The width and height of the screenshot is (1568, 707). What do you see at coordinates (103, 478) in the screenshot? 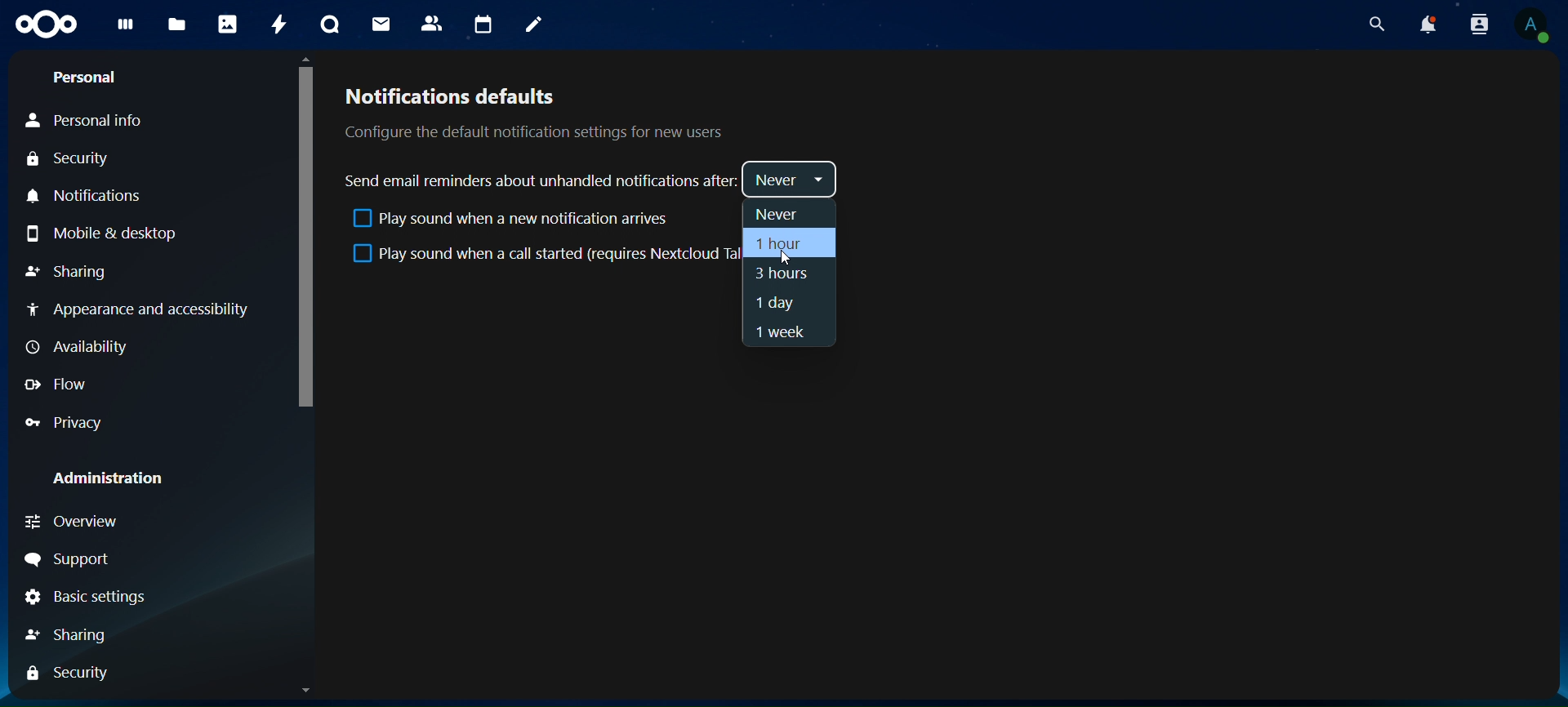
I see `Administration` at bounding box center [103, 478].